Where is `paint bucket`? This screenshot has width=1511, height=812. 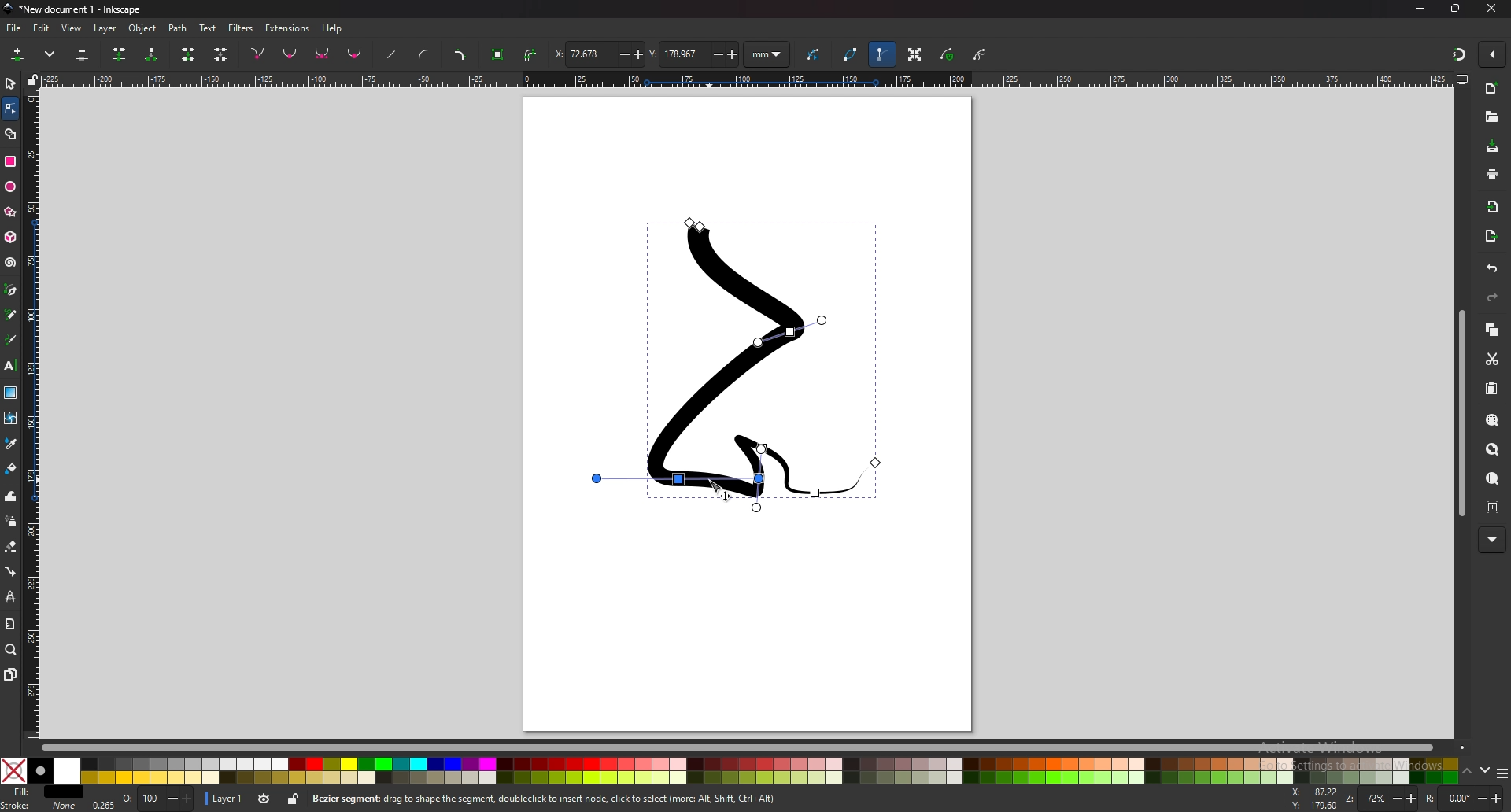
paint bucket is located at coordinates (10, 469).